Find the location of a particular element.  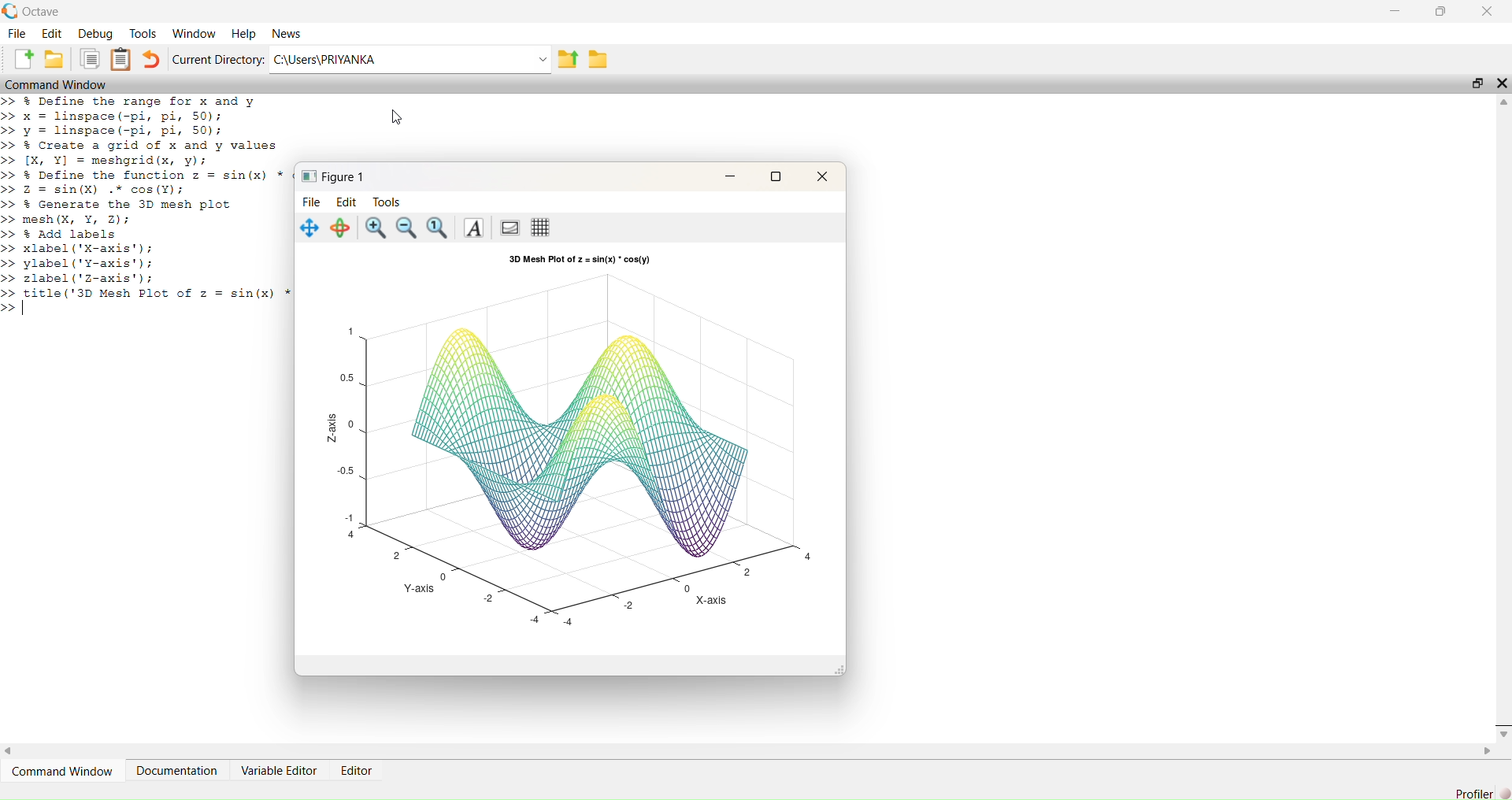

Down is located at coordinates (1503, 734).